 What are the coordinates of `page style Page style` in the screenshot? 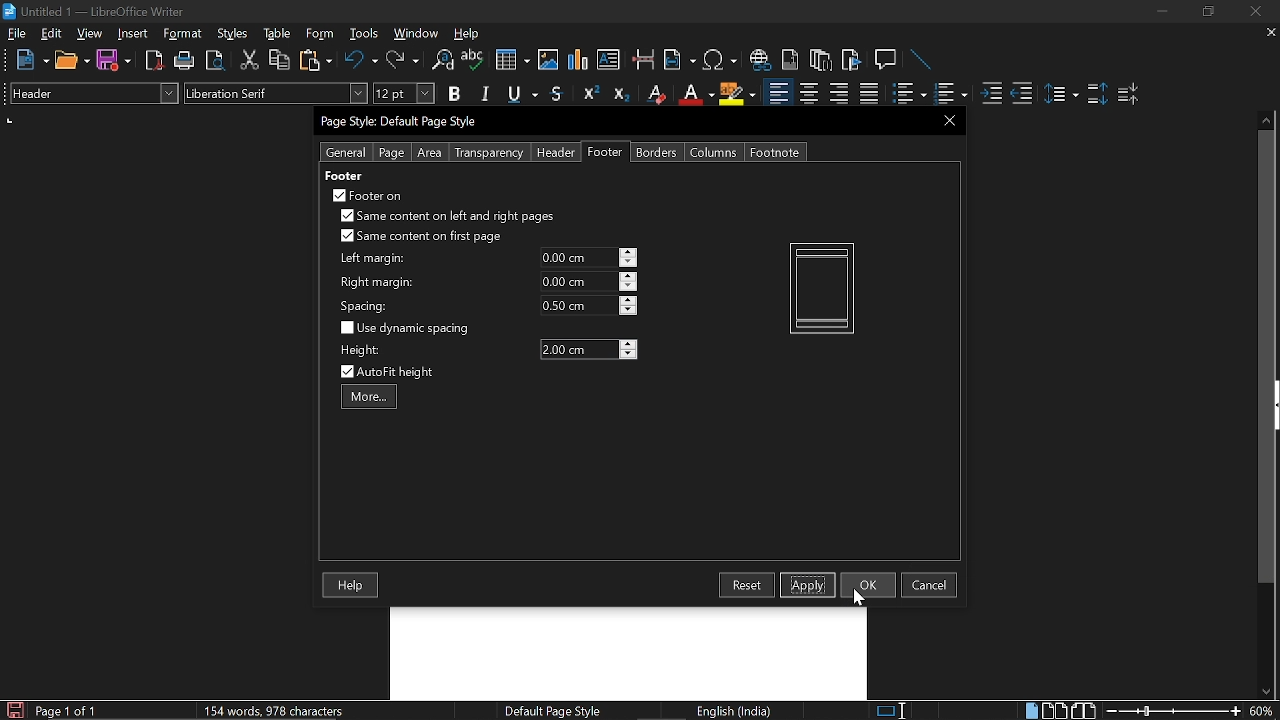 It's located at (556, 711).